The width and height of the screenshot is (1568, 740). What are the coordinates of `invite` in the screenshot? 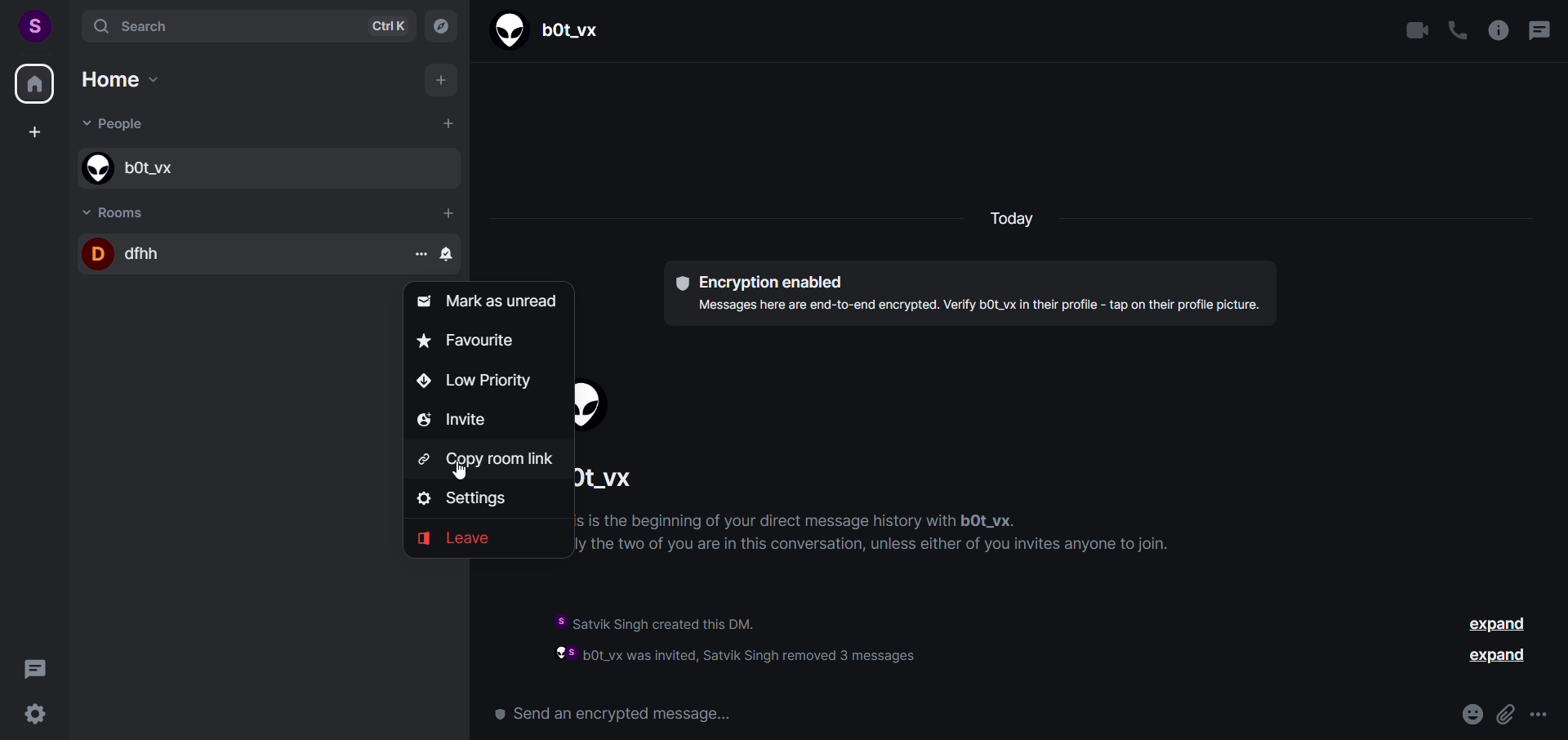 It's located at (451, 421).